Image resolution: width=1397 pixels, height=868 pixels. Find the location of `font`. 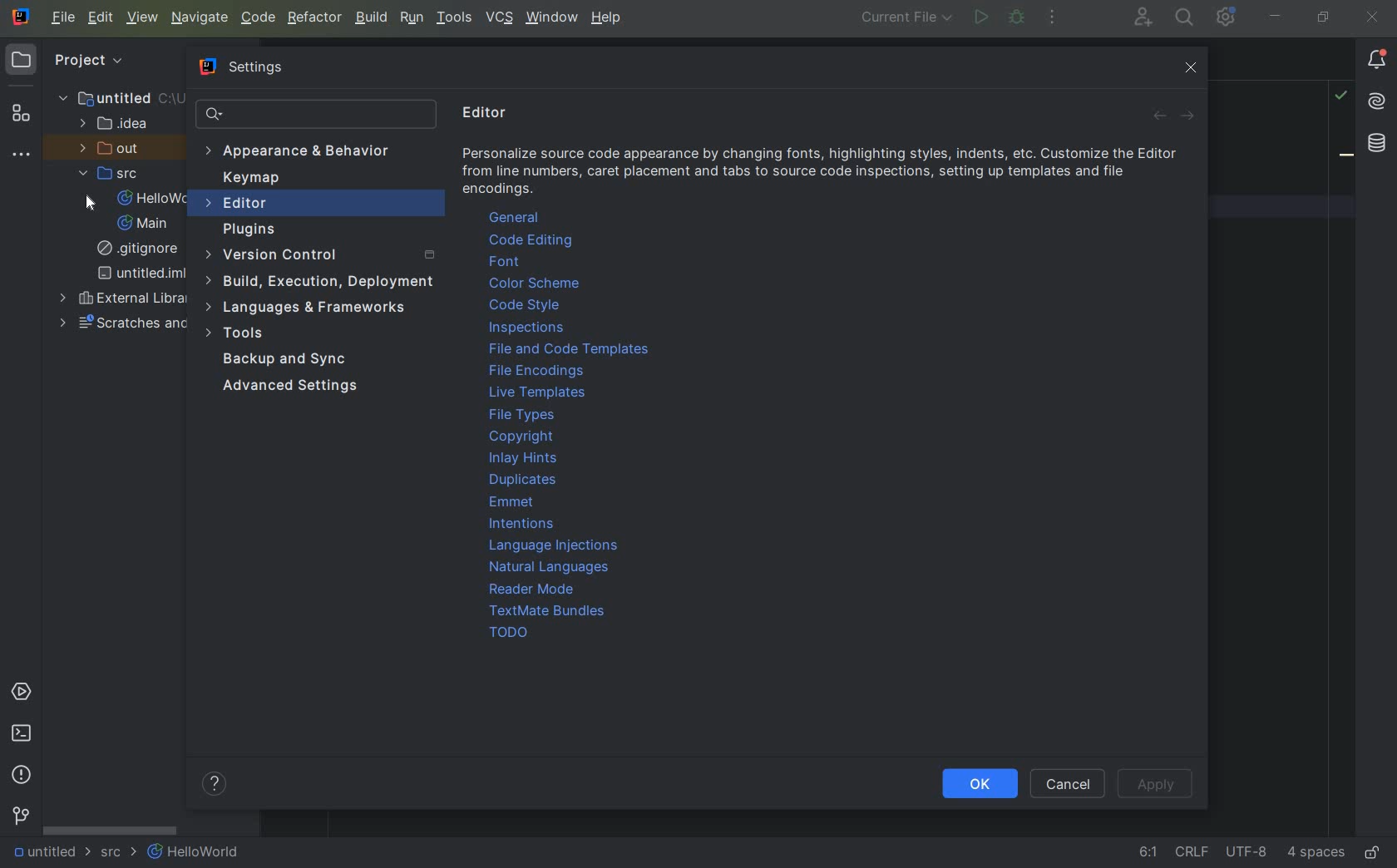

font is located at coordinates (511, 264).